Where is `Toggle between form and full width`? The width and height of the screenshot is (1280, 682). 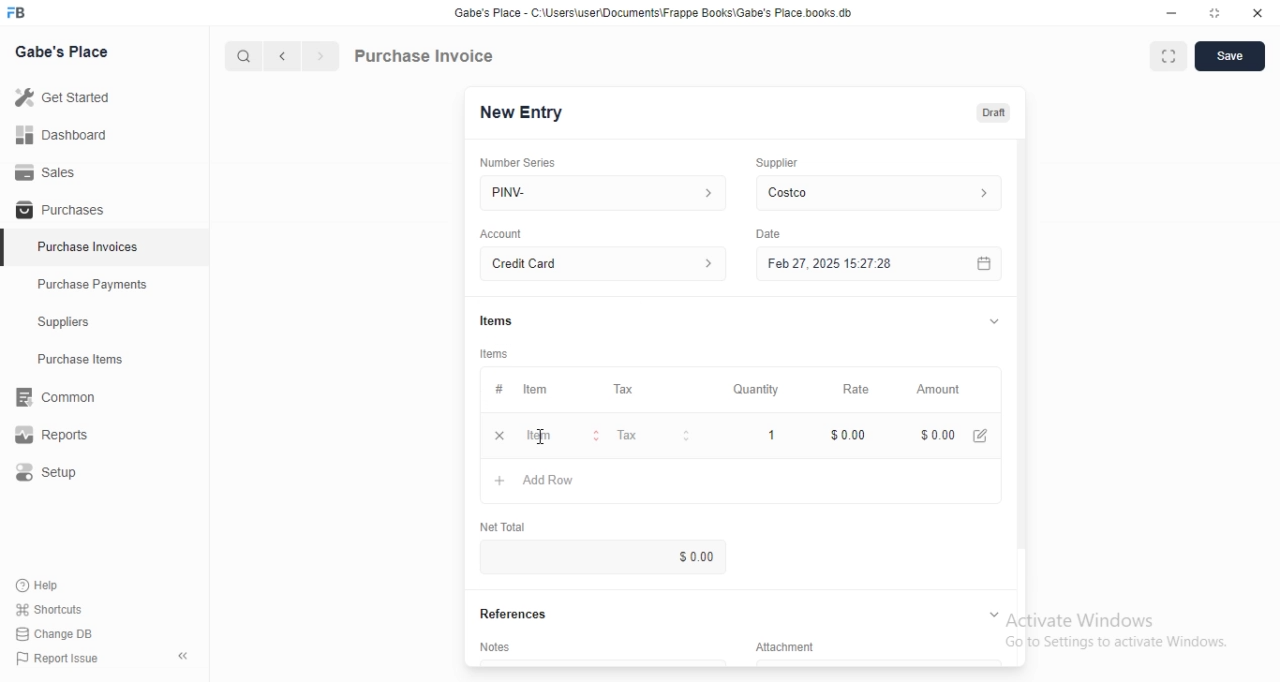
Toggle between form and full width is located at coordinates (1169, 56).